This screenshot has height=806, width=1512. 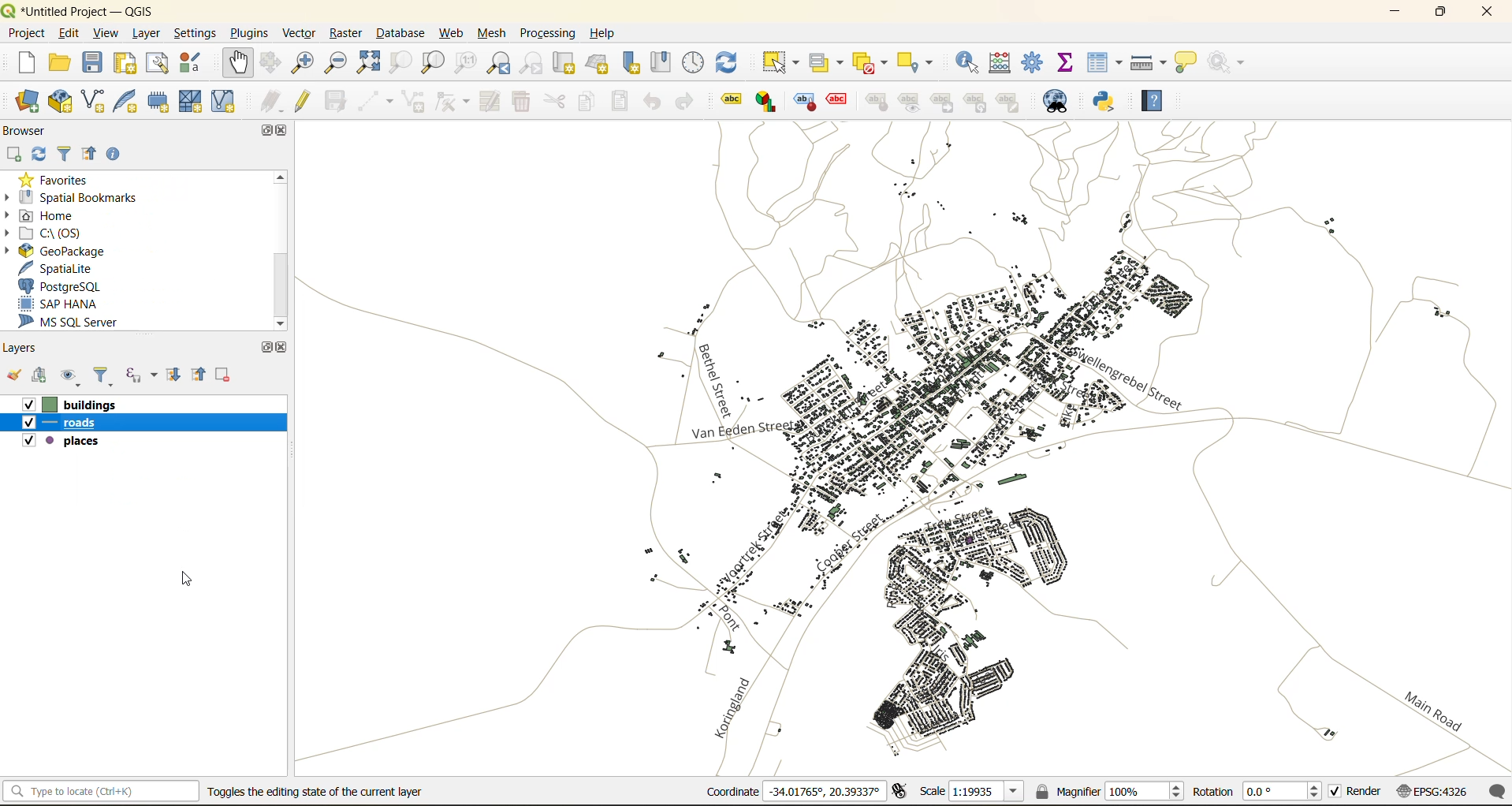 I want to click on open, so click(x=14, y=374).